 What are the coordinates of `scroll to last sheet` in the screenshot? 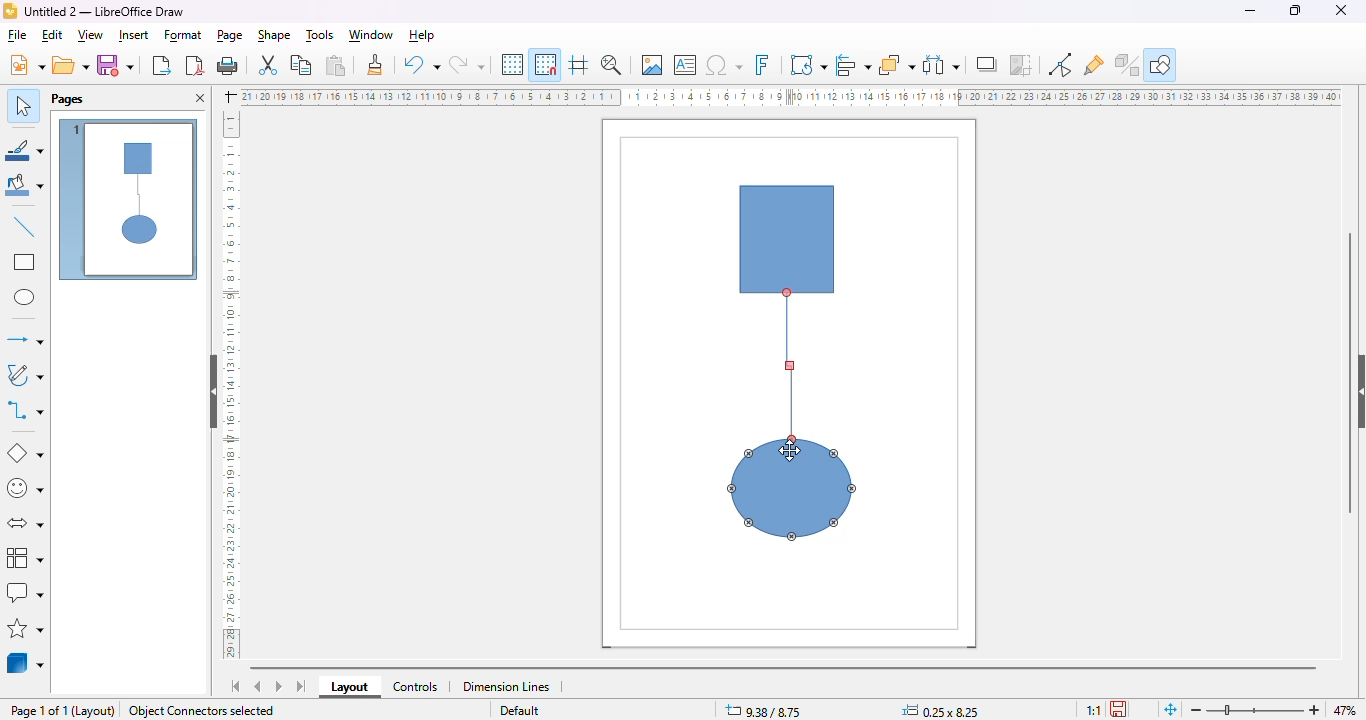 It's located at (302, 687).